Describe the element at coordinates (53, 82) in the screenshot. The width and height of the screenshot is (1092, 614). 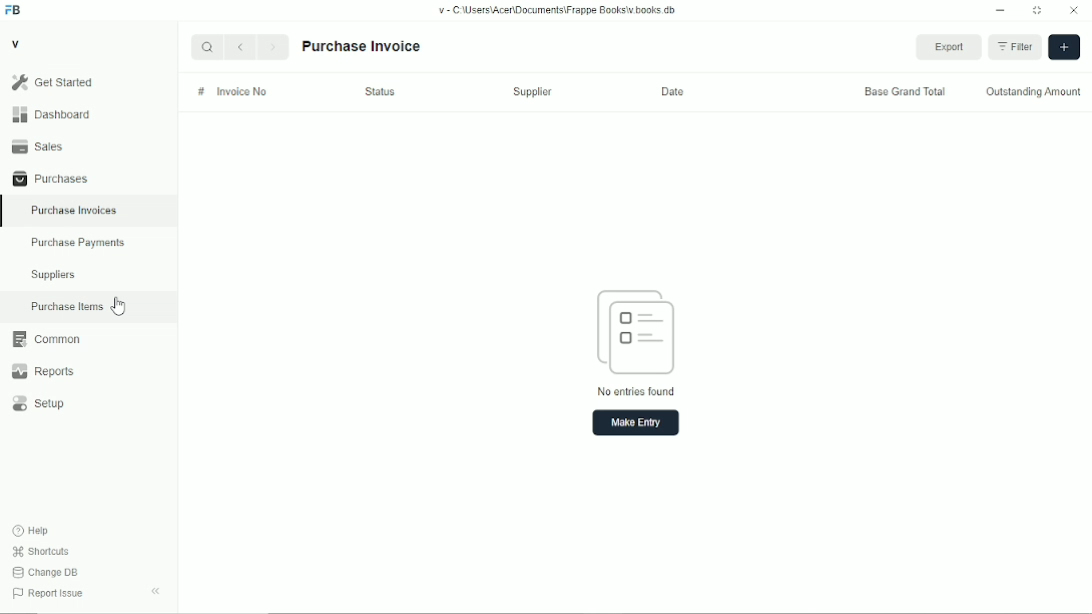
I see `get started` at that location.